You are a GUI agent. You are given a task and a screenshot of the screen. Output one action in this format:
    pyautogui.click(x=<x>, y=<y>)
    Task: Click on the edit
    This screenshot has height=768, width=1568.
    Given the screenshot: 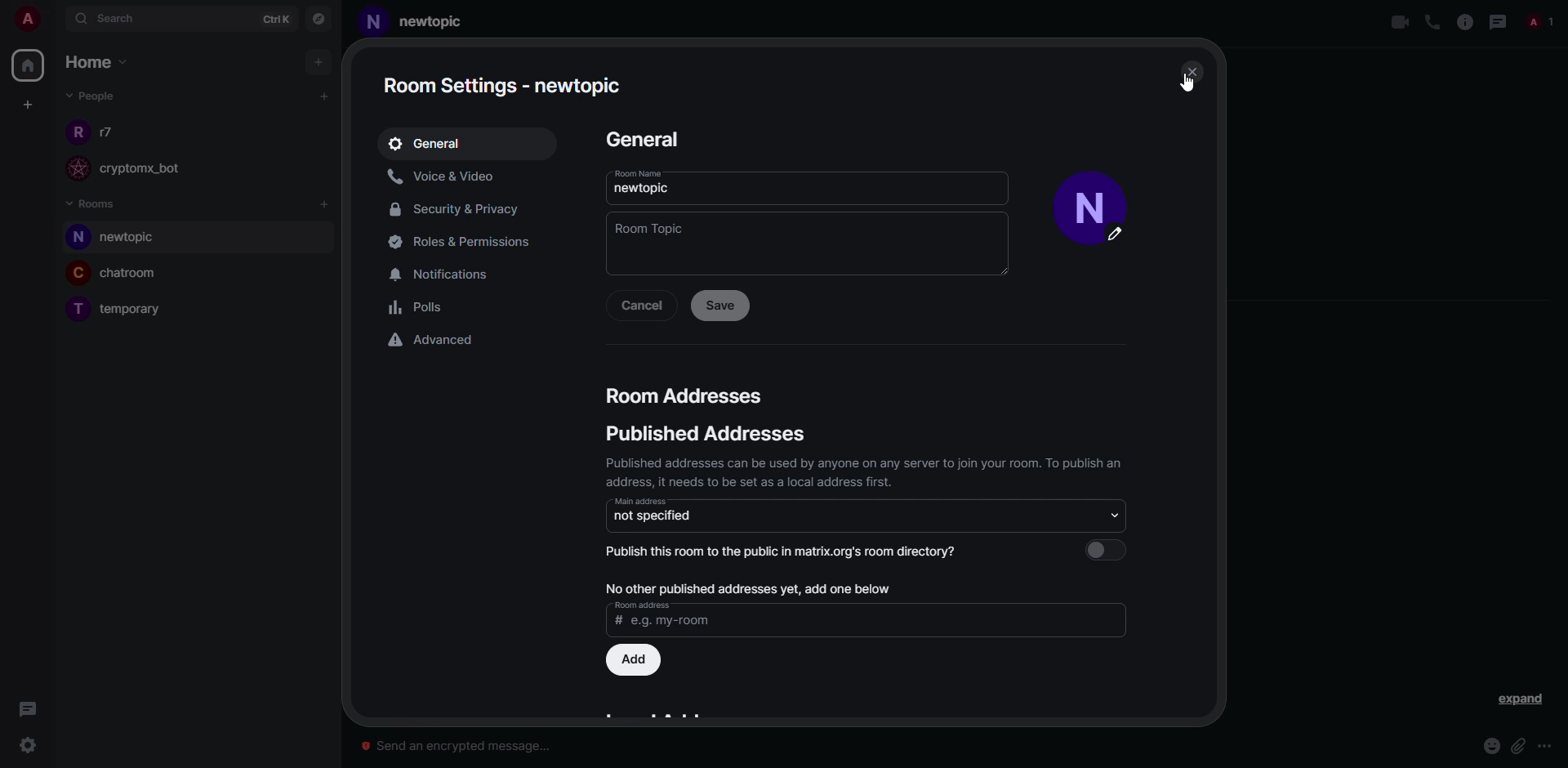 What is the action you would take?
    pyautogui.click(x=1123, y=239)
    